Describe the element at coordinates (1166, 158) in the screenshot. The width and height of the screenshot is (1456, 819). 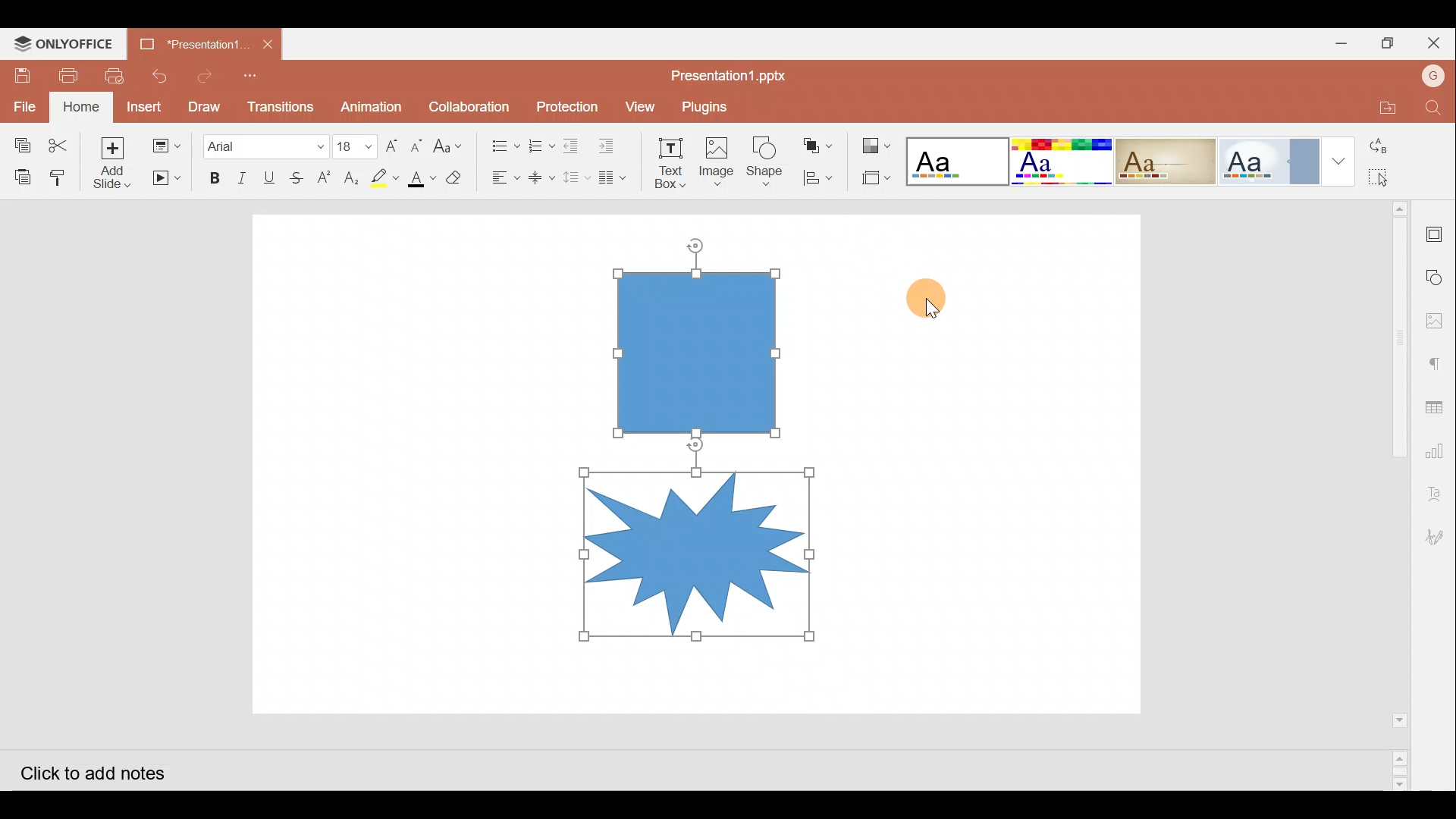
I see `Classic` at that location.